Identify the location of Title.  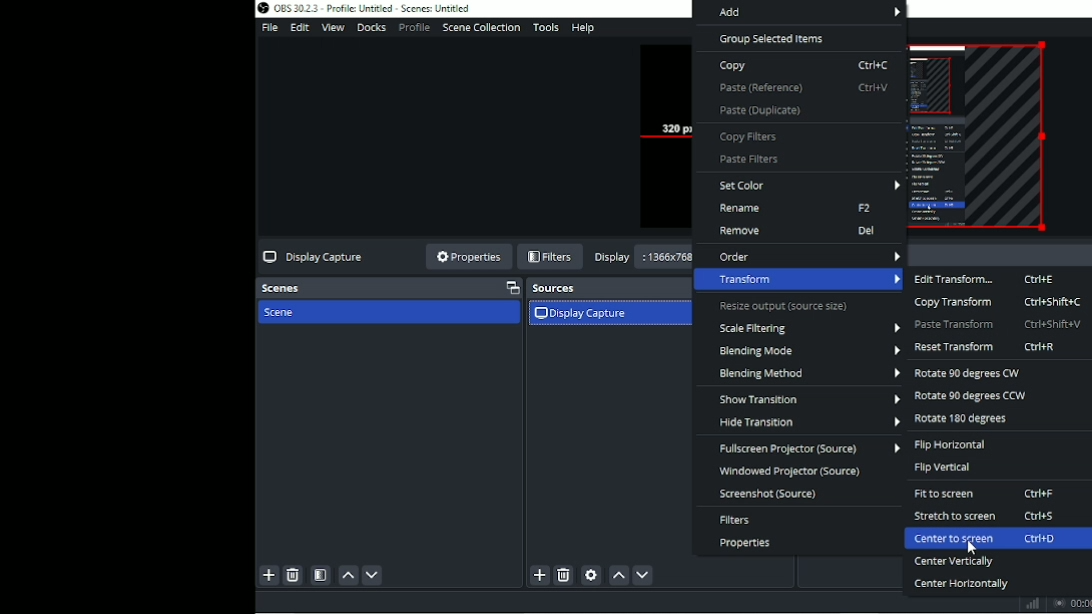
(371, 8).